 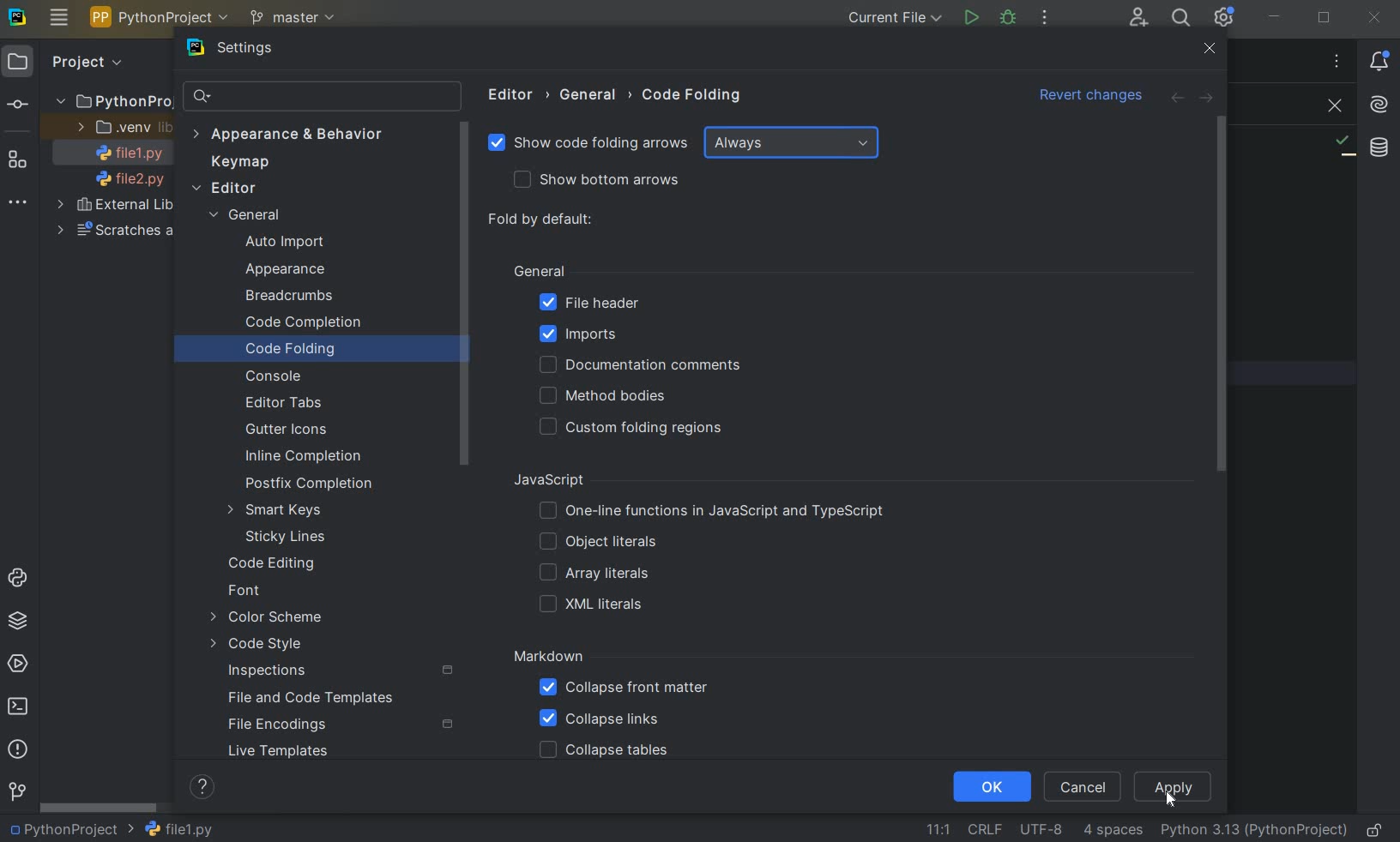 What do you see at coordinates (1092, 92) in the screenshot?
I see `Revert changes` at bounding box center [1092, 92].